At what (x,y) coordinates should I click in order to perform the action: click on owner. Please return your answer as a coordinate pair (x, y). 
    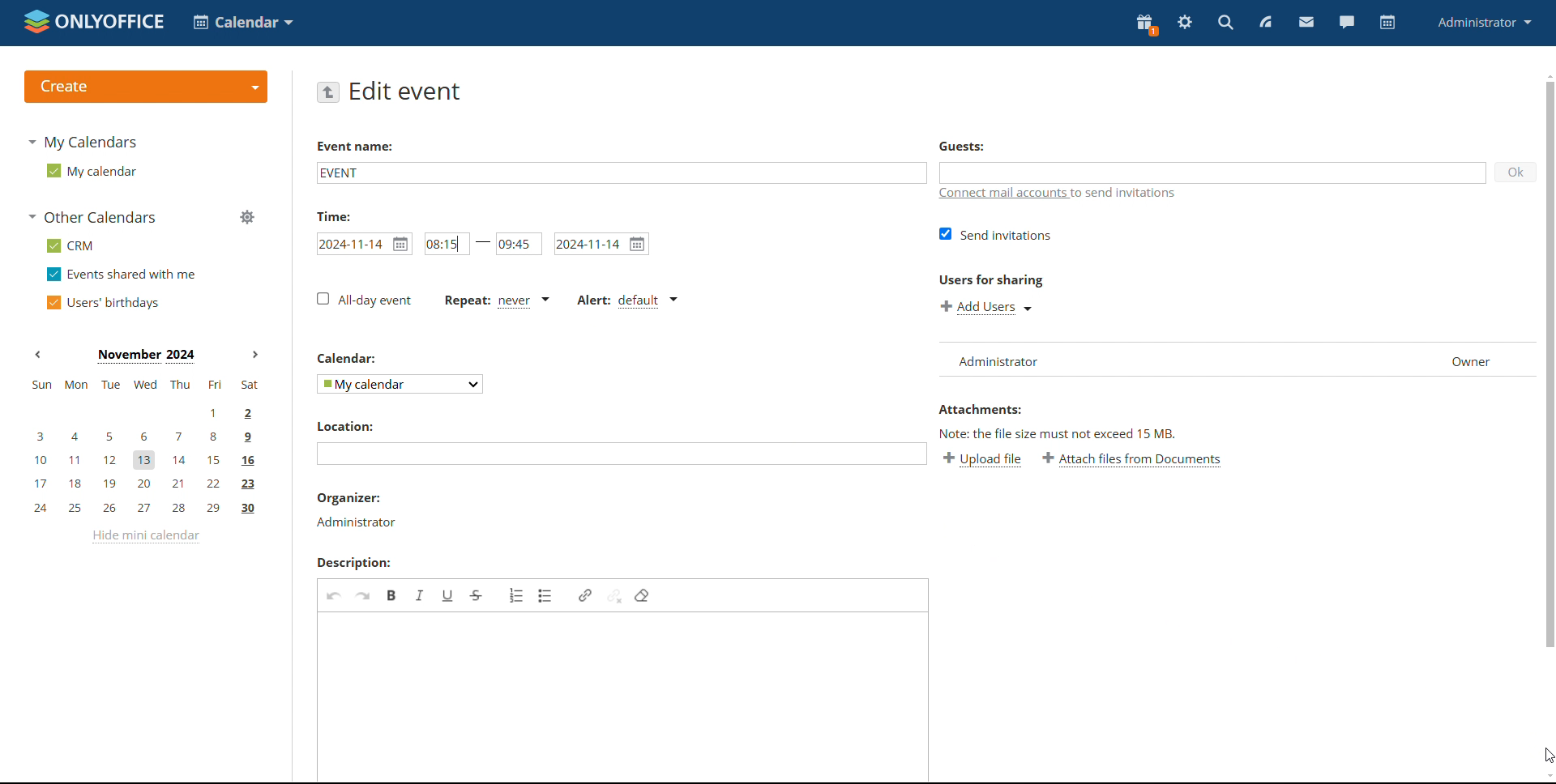
    Looking at the image, I should click on (1472, 359).